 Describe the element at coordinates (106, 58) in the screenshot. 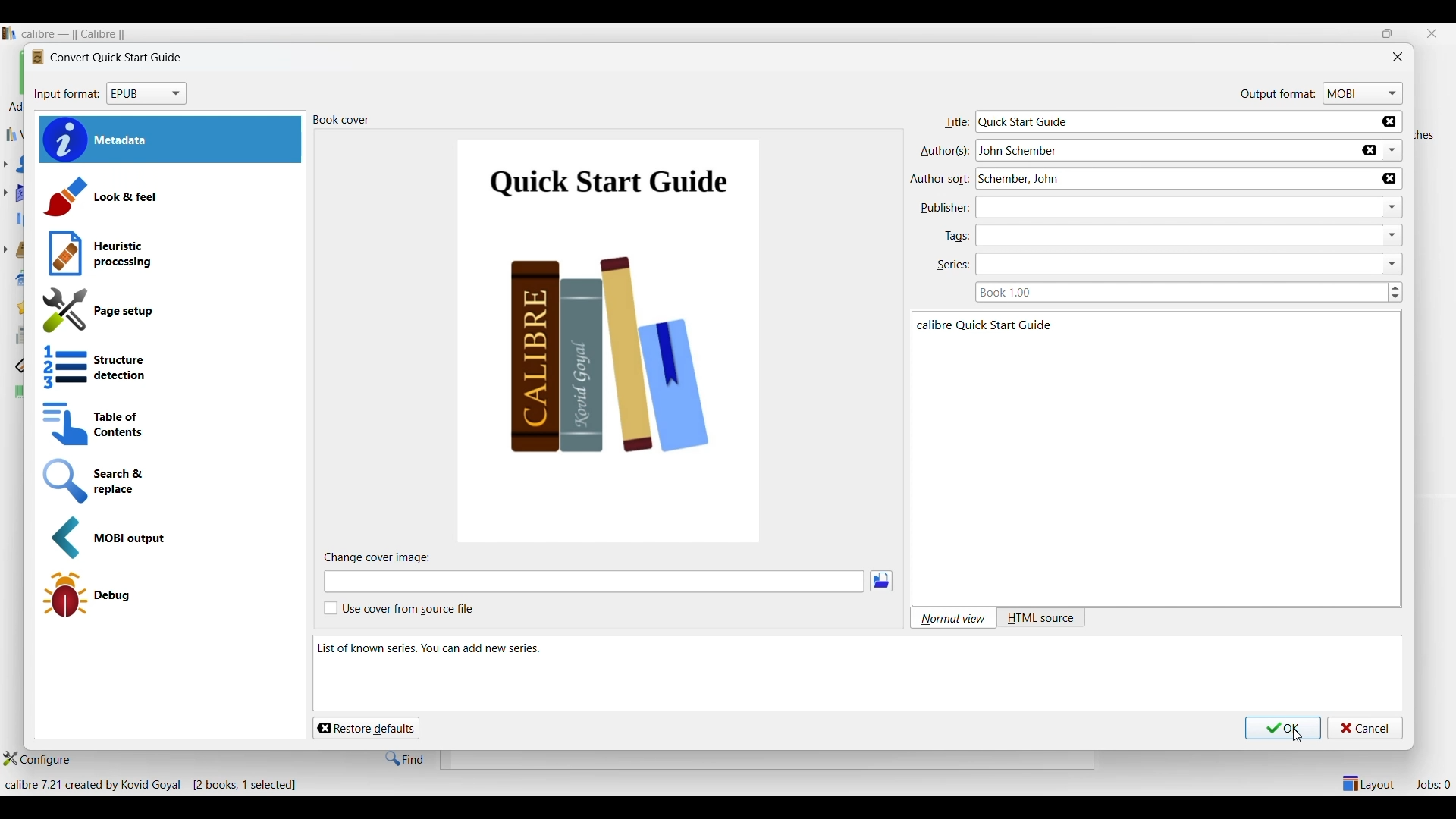

I see `Logo and name of current window` at that location.